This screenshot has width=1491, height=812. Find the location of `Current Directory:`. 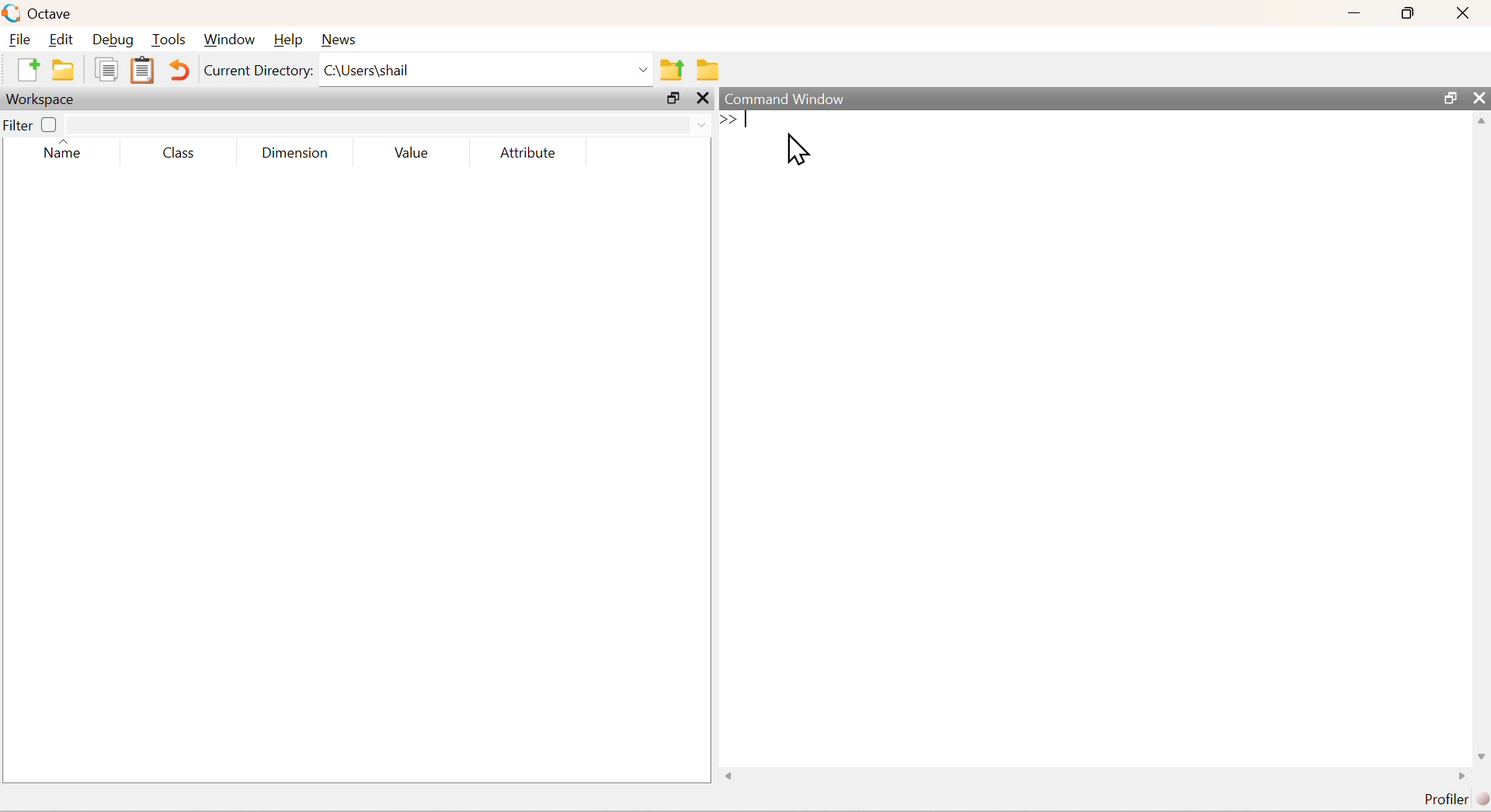

Current Directory: is located at coordinates (257, 68).